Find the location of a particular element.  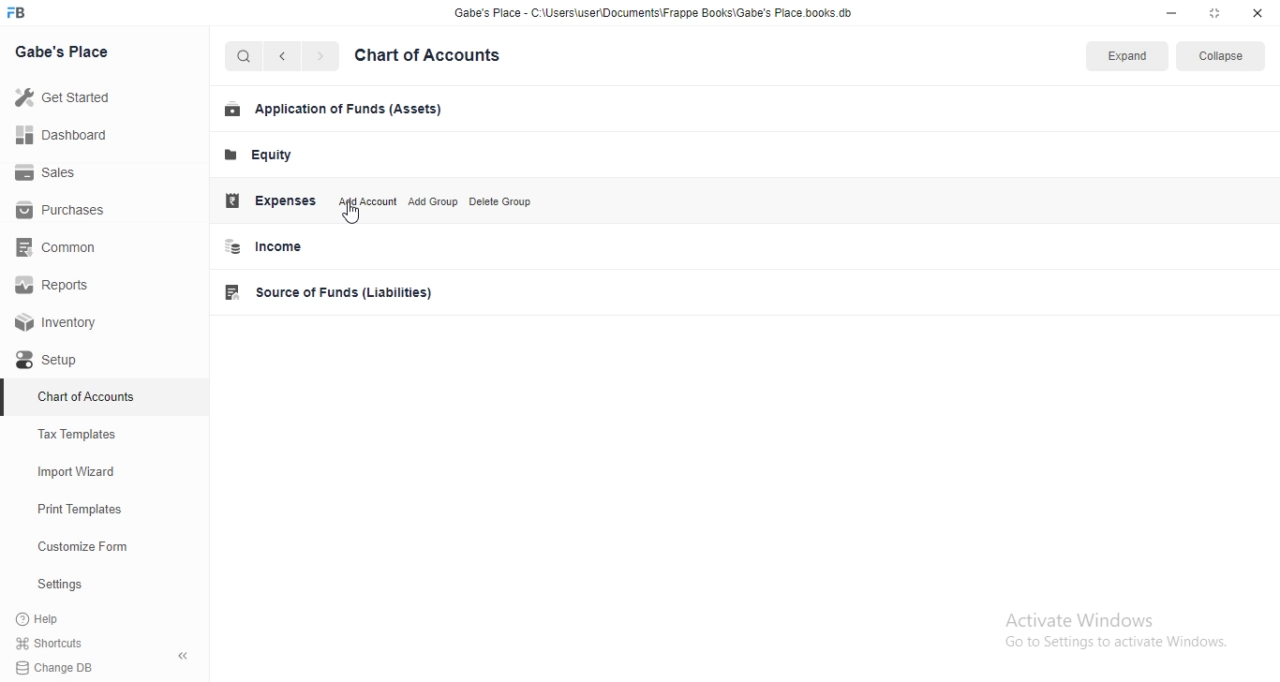

Chart of Accounts. is located at coordinates (447, 57).